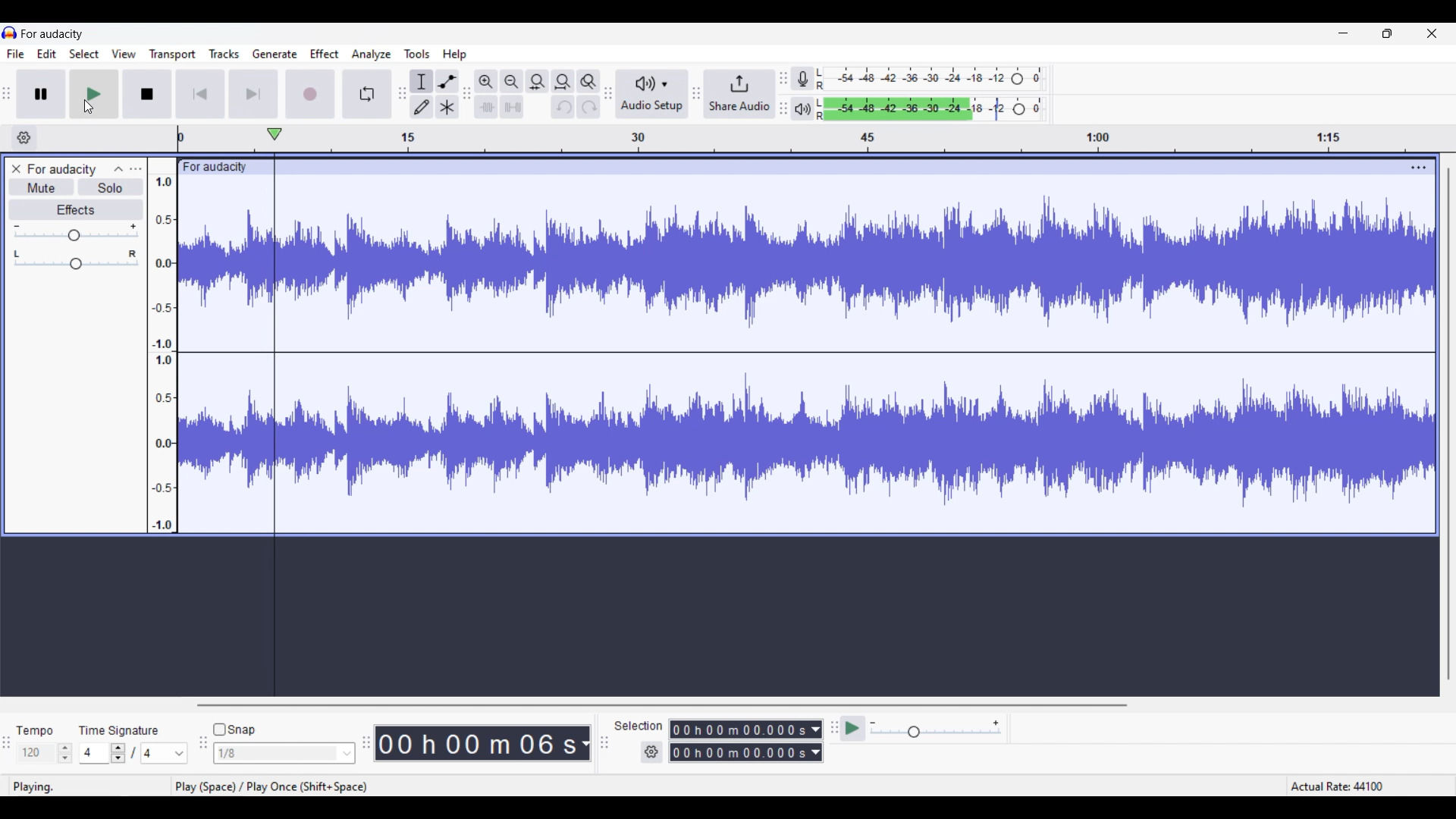  What do you see at coordinates (77, 210) in the screenshot?
I see `Effects` at bounding box center [77, 210].